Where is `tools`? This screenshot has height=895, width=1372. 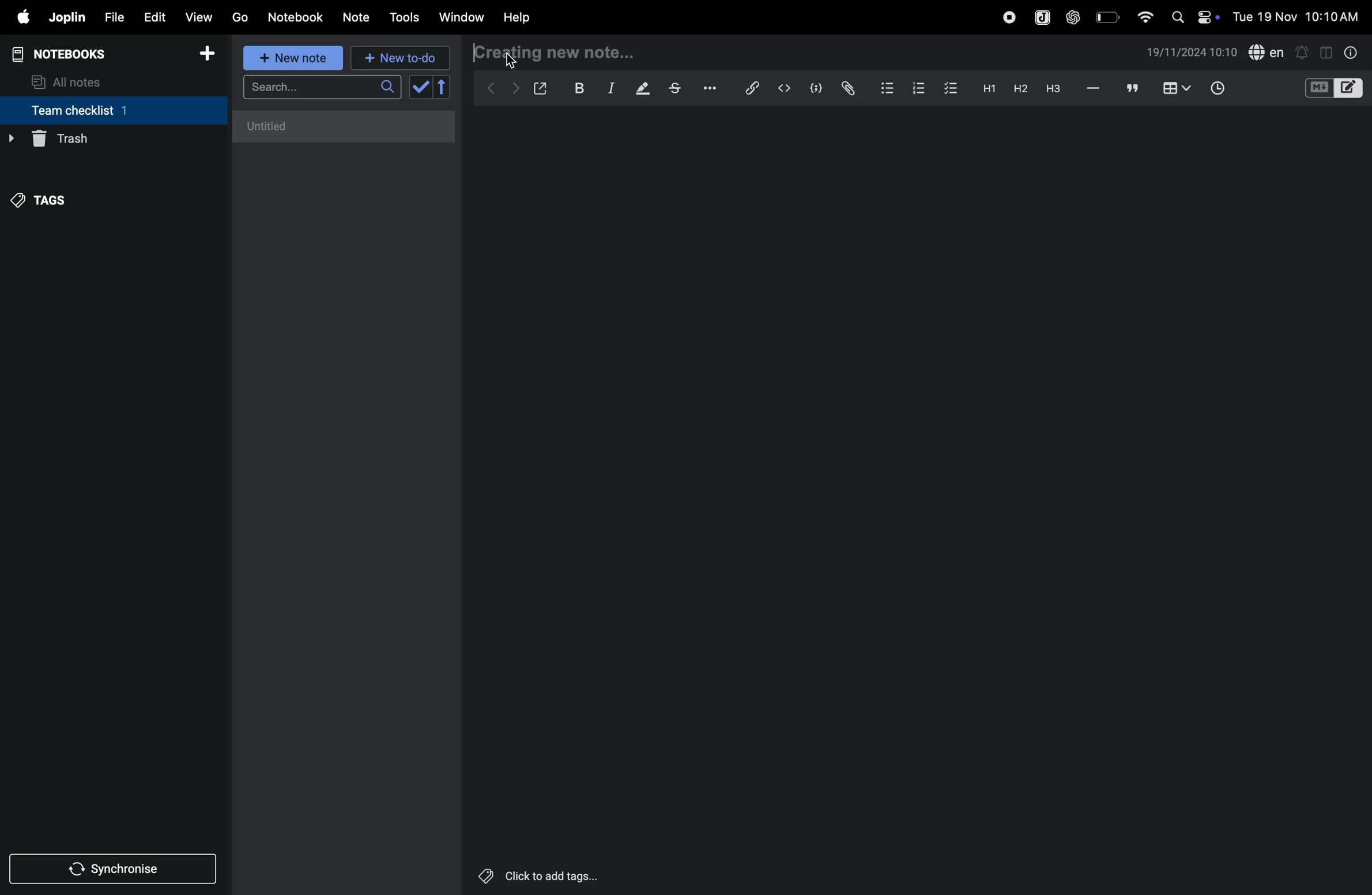 tools is located at coordinates (406, 17).